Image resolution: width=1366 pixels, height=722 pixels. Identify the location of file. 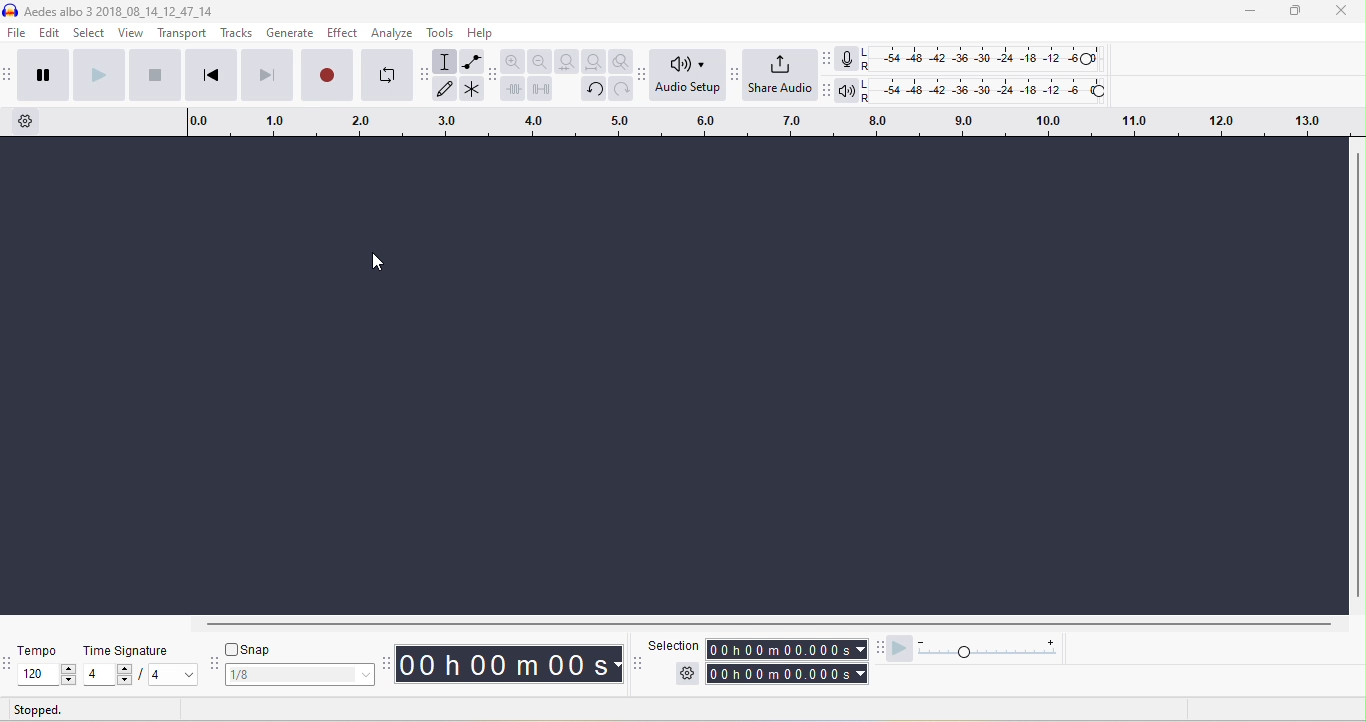
(18, 34).